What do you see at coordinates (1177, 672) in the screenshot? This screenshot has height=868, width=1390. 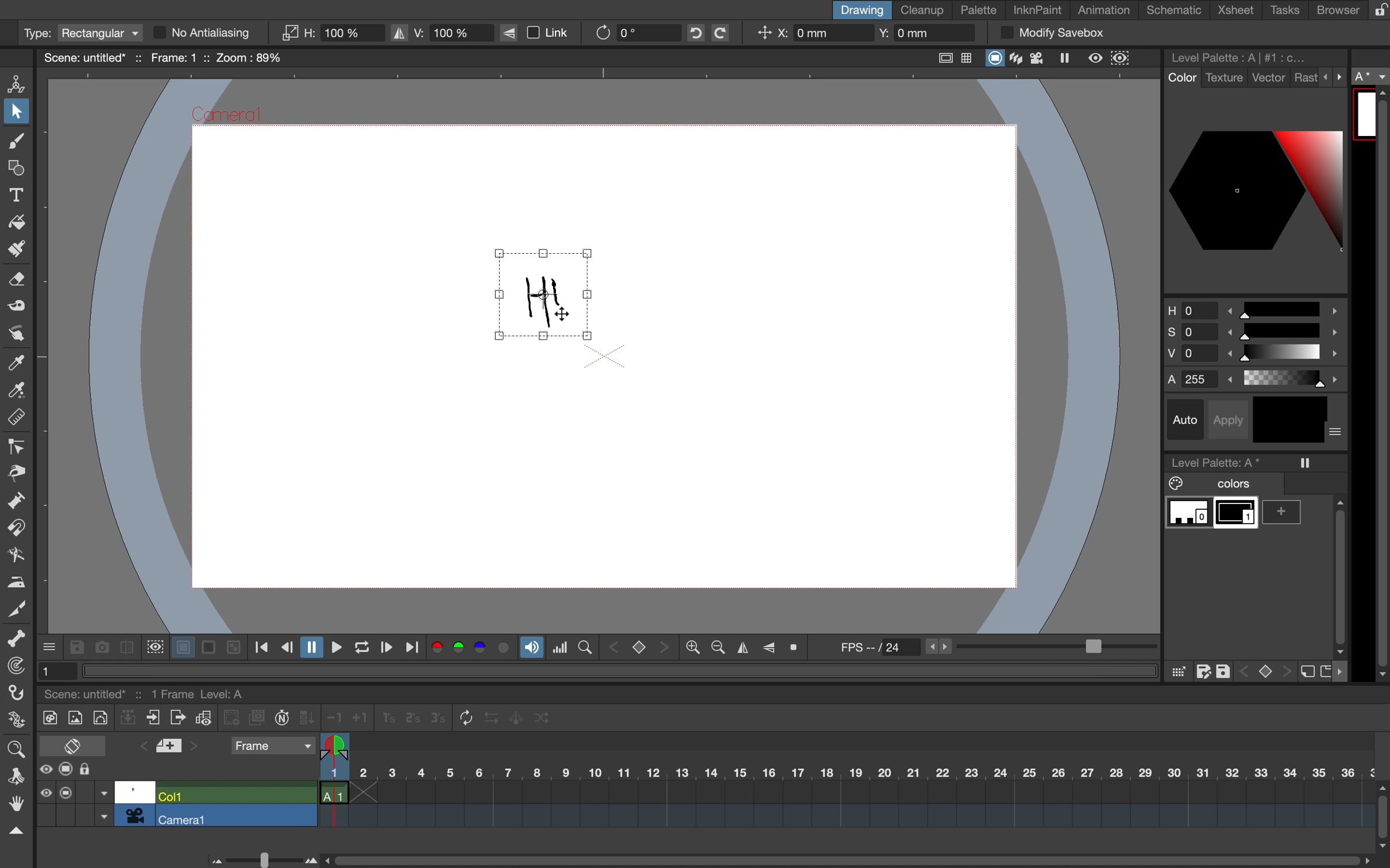 I see `click and drag color palaette` at bounding box center [1177, 672].